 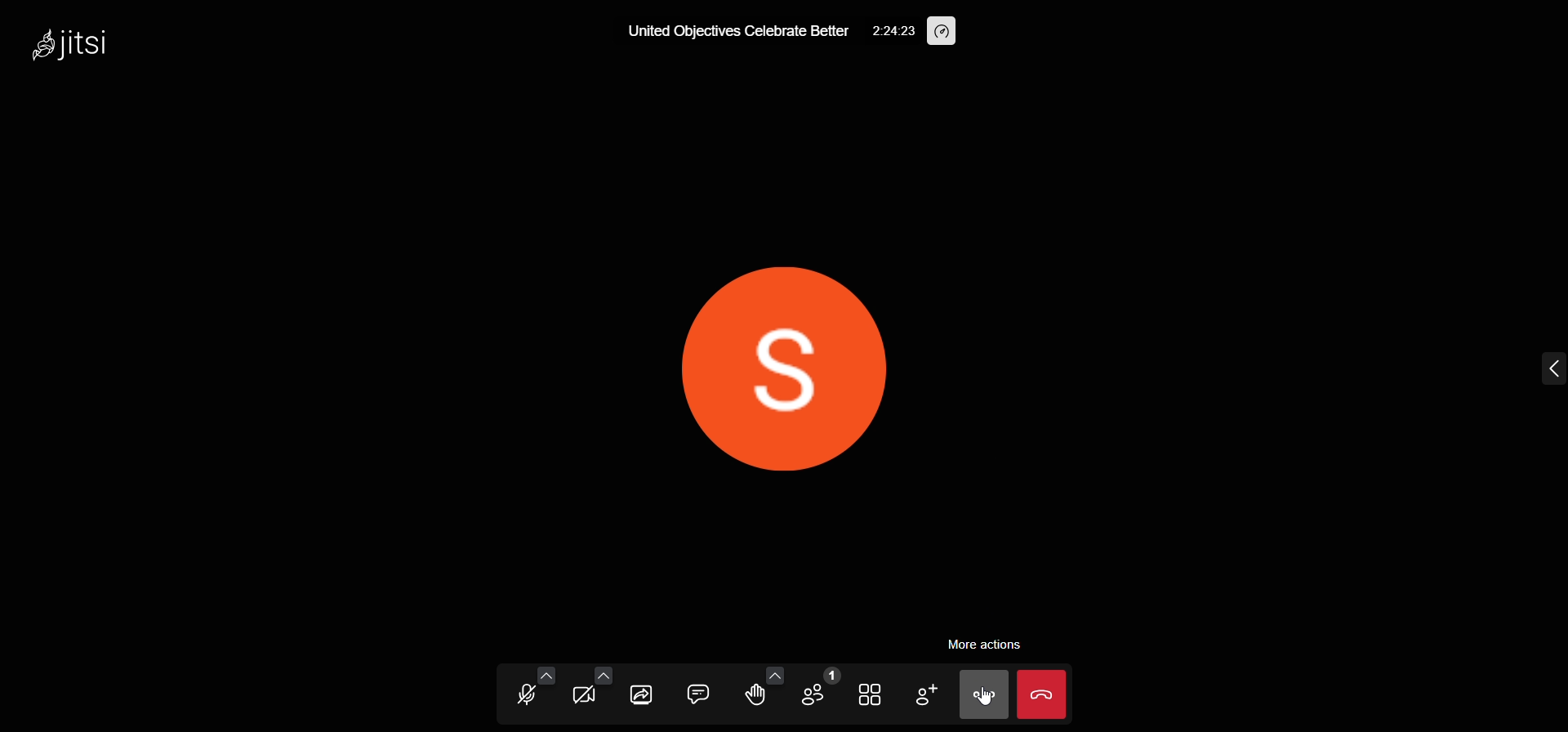 I want to click on more, so click(x=981, y=696).